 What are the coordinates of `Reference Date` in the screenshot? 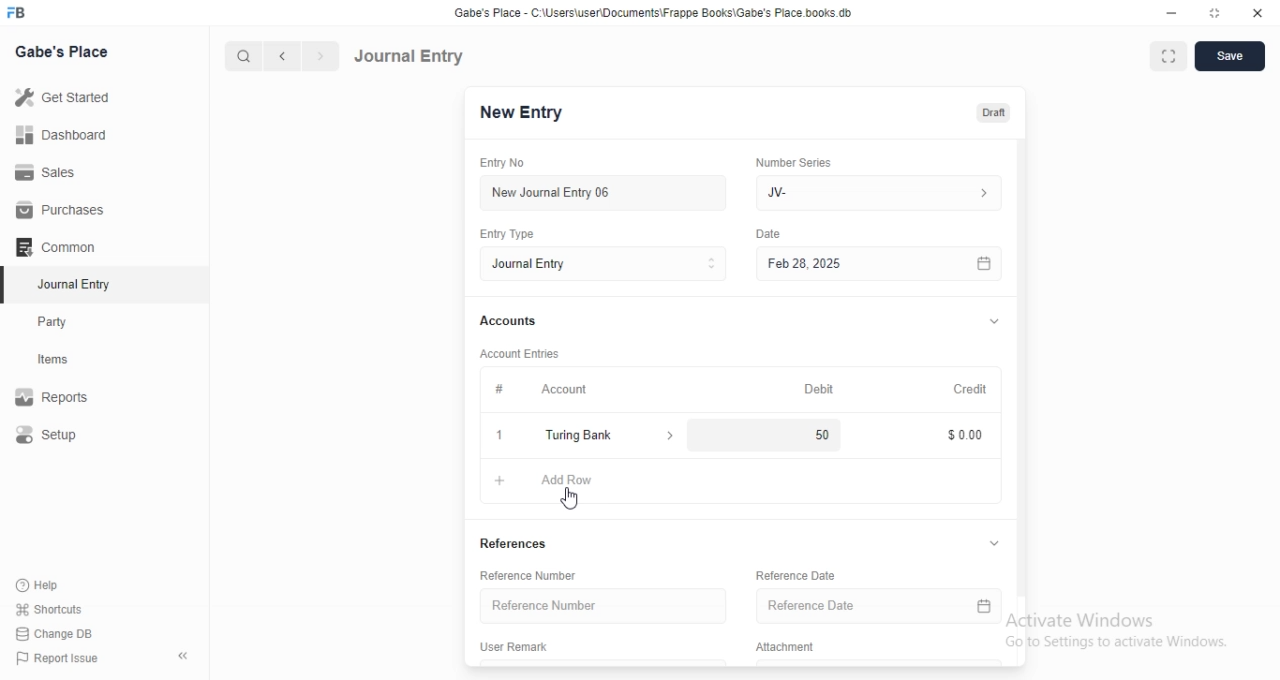 It's located at (806, 574).